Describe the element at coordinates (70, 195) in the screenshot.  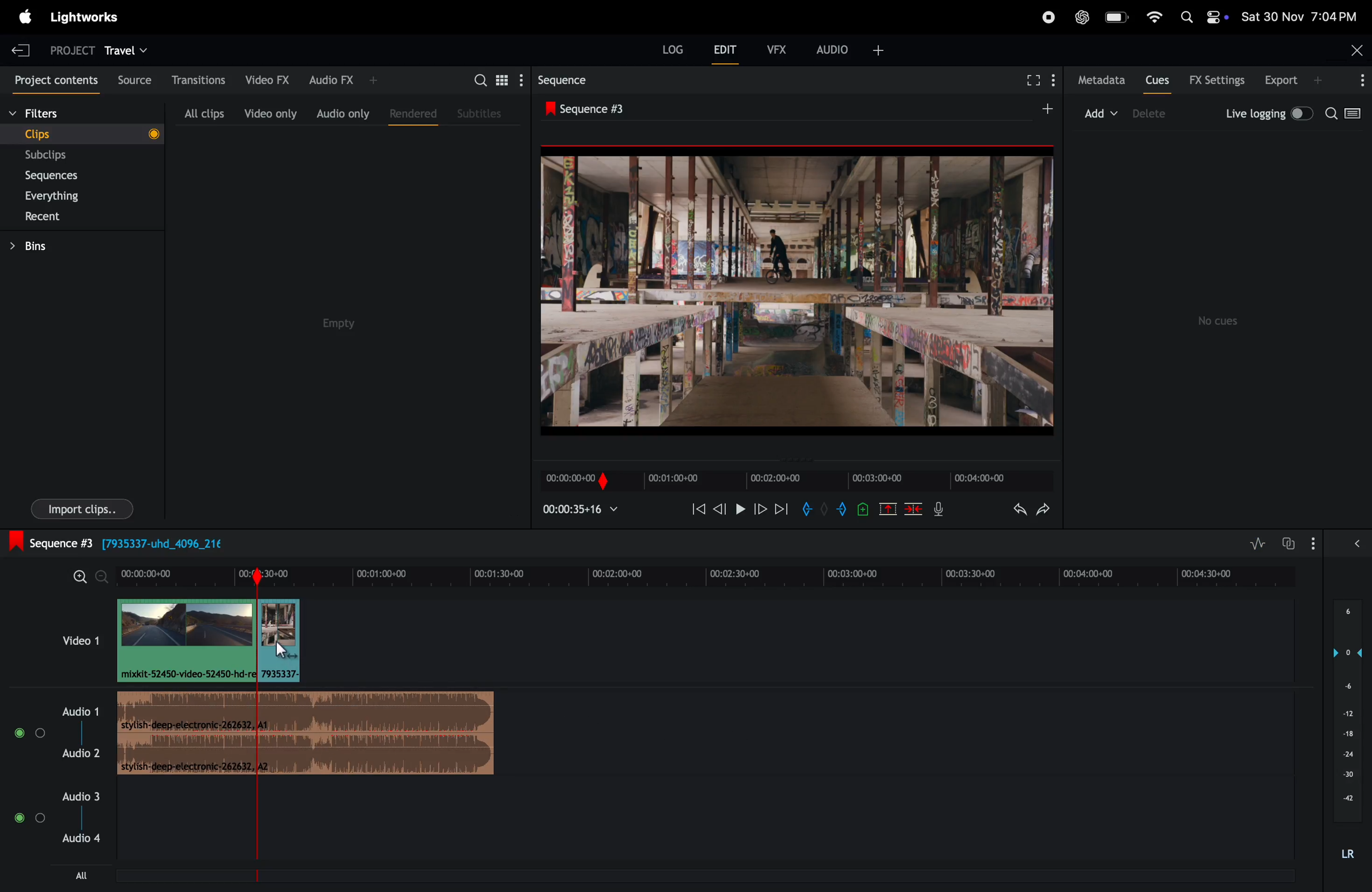
I see `everything` at that location.